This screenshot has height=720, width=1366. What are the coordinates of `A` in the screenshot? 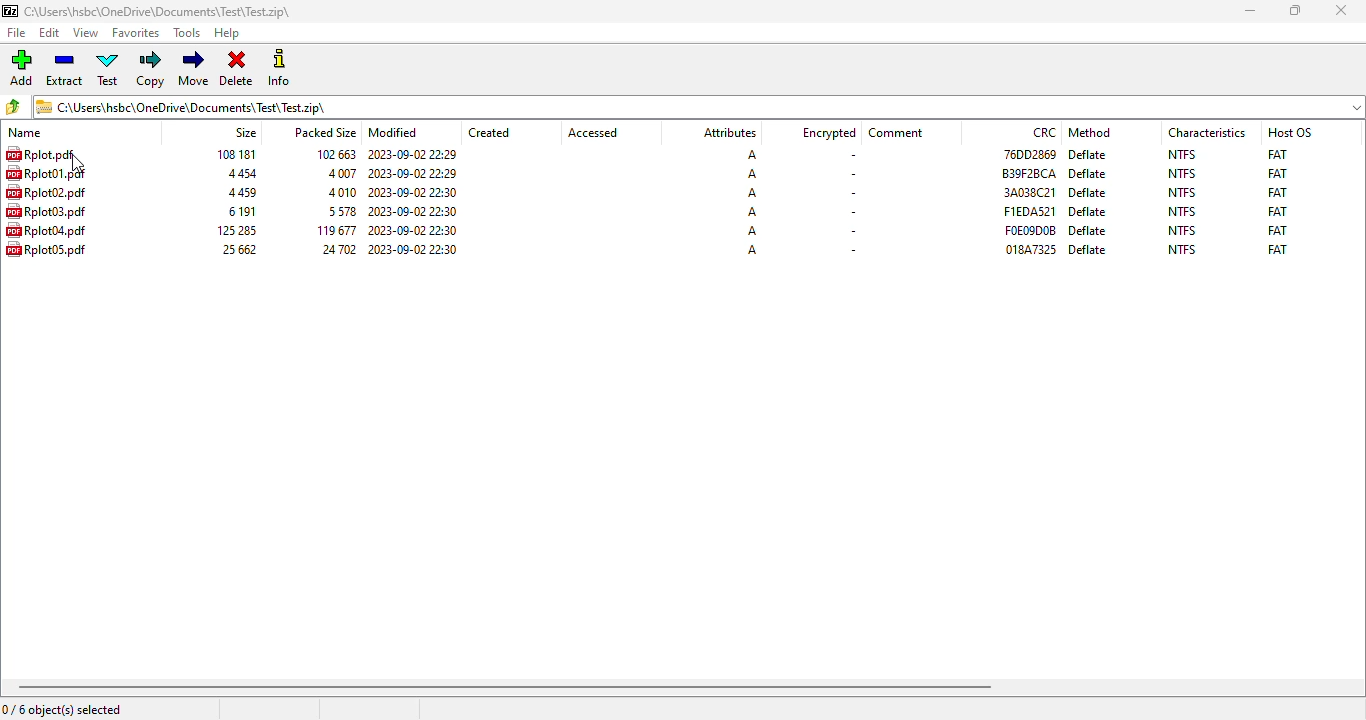 It's located at (750, 155).